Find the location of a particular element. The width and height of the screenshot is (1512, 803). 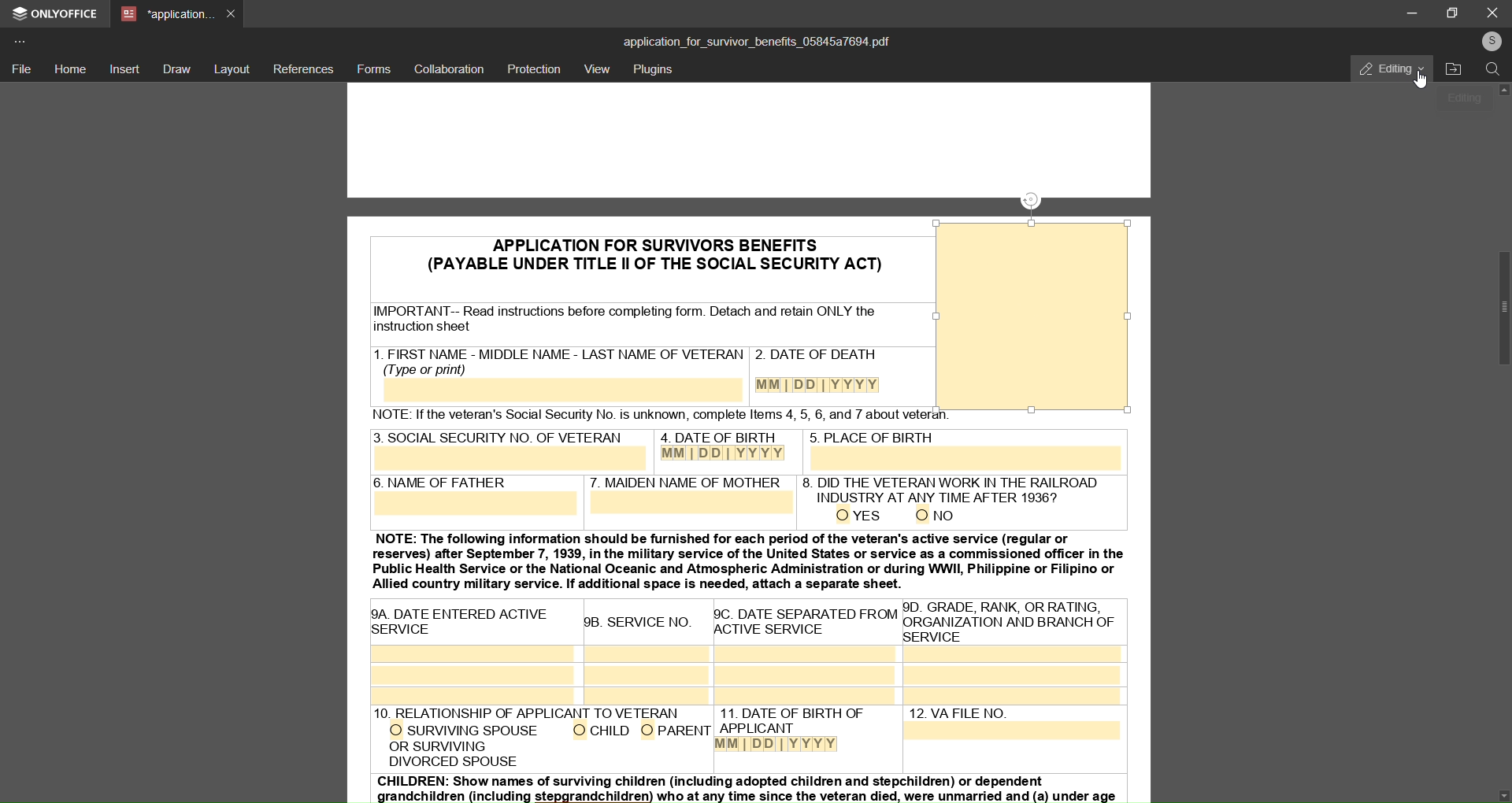

scrollbar is located at coordinates (1495, 308).